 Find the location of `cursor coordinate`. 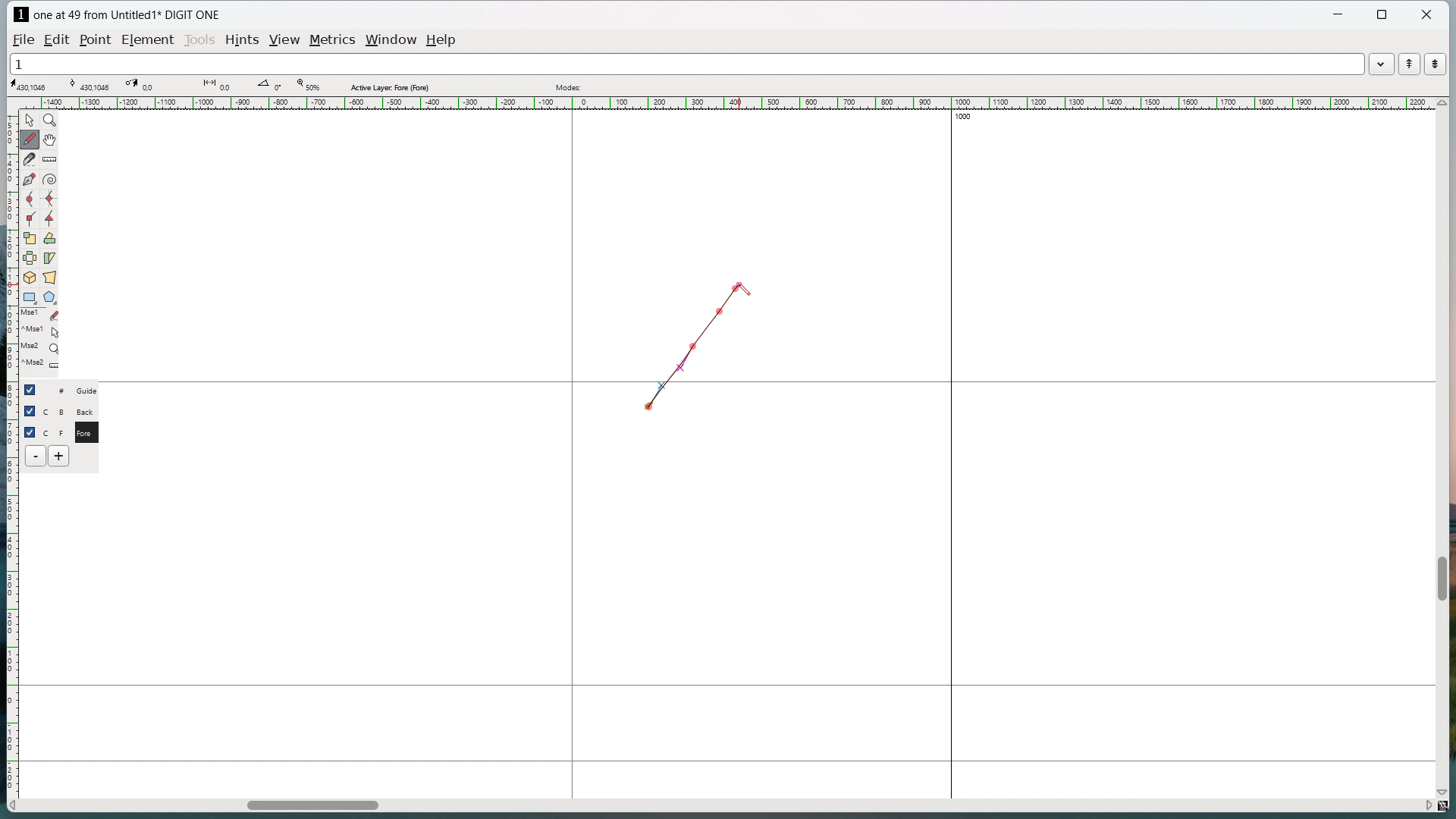

cursor coordinate is located at coordinates (31, 85).